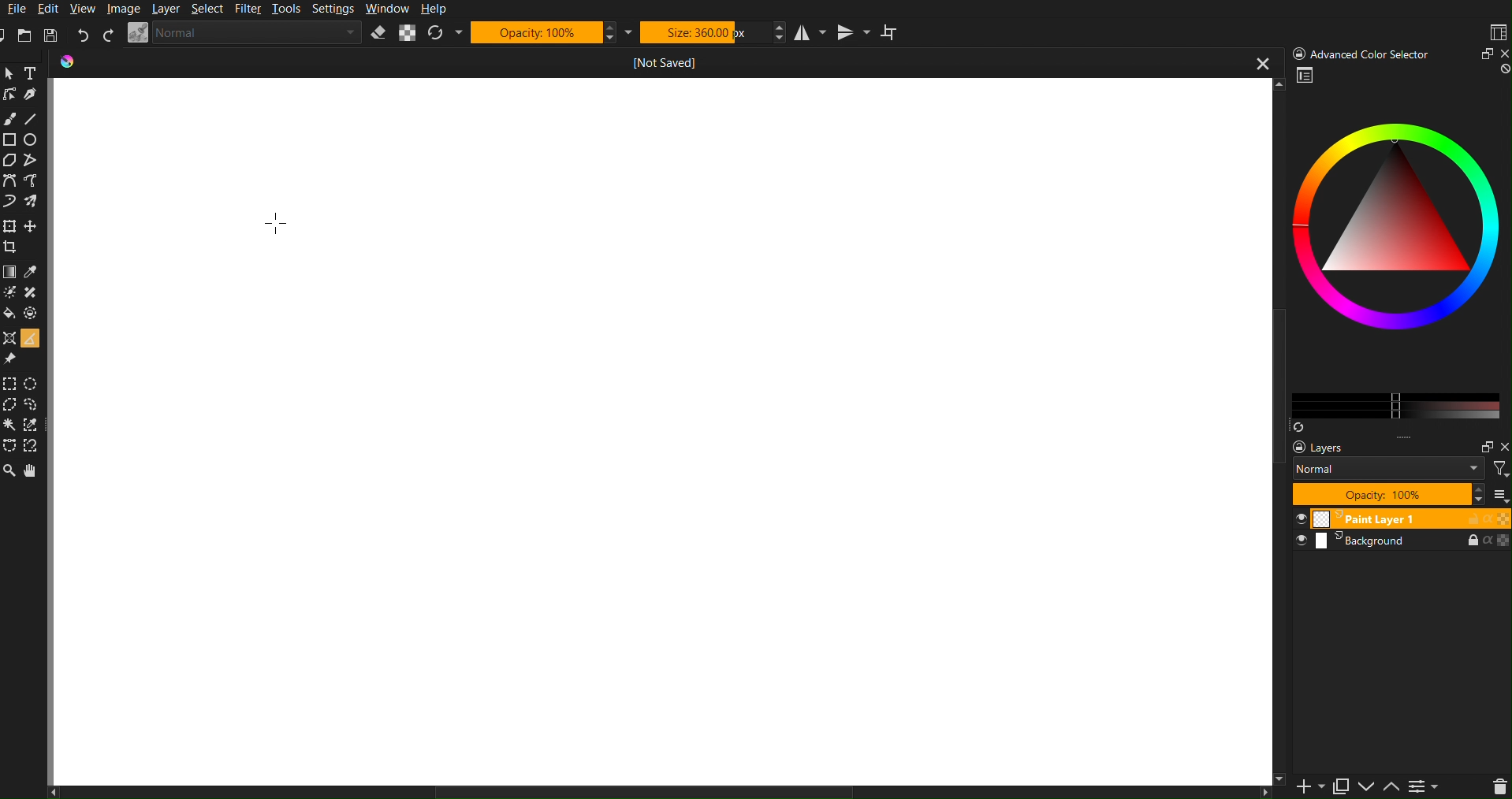  I want to click on Pin Tool, so click(11, 358).